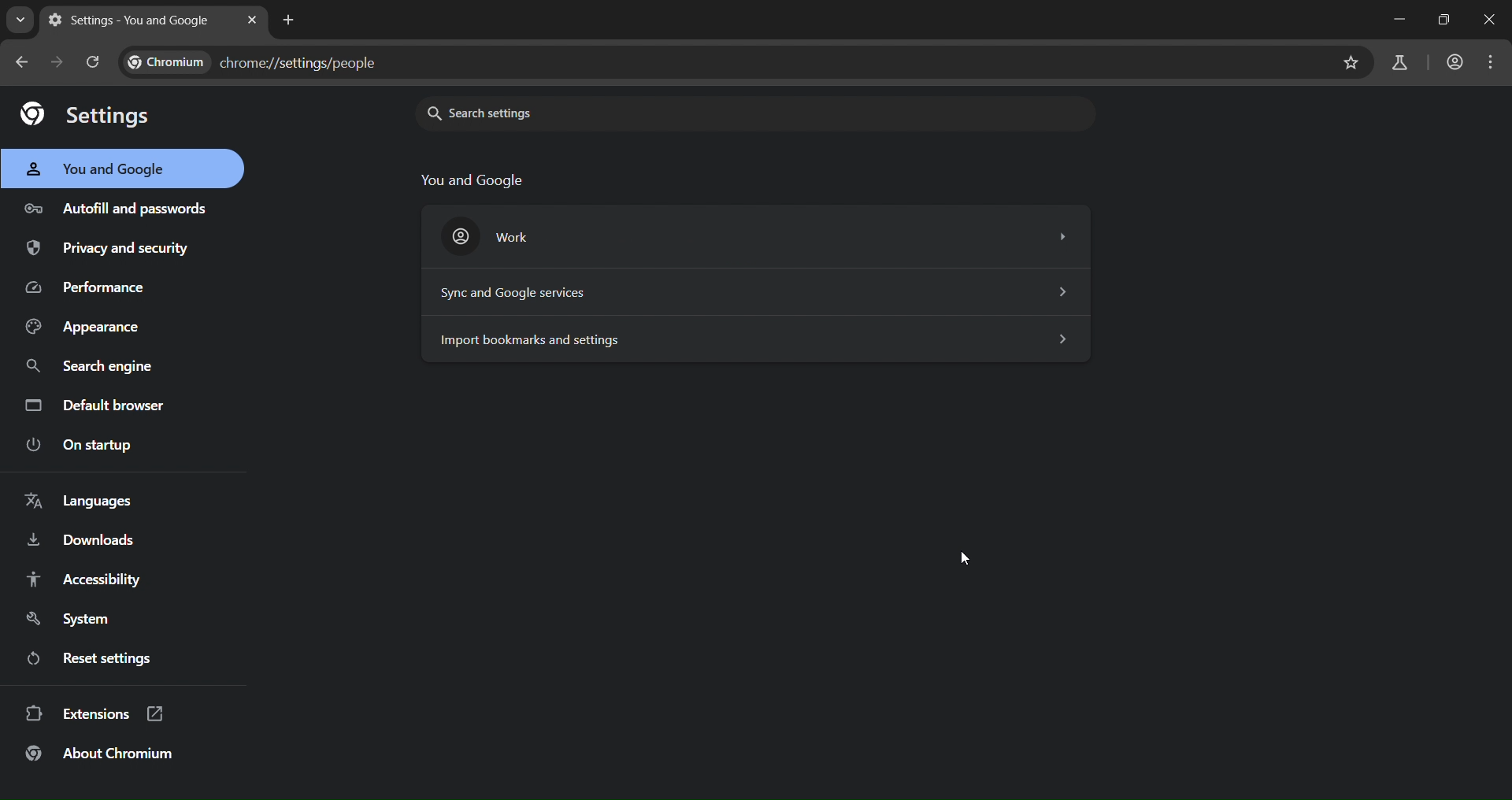  Describe the element at coordinates (25, 61) in the screenshot. I see `go back page` at that location.